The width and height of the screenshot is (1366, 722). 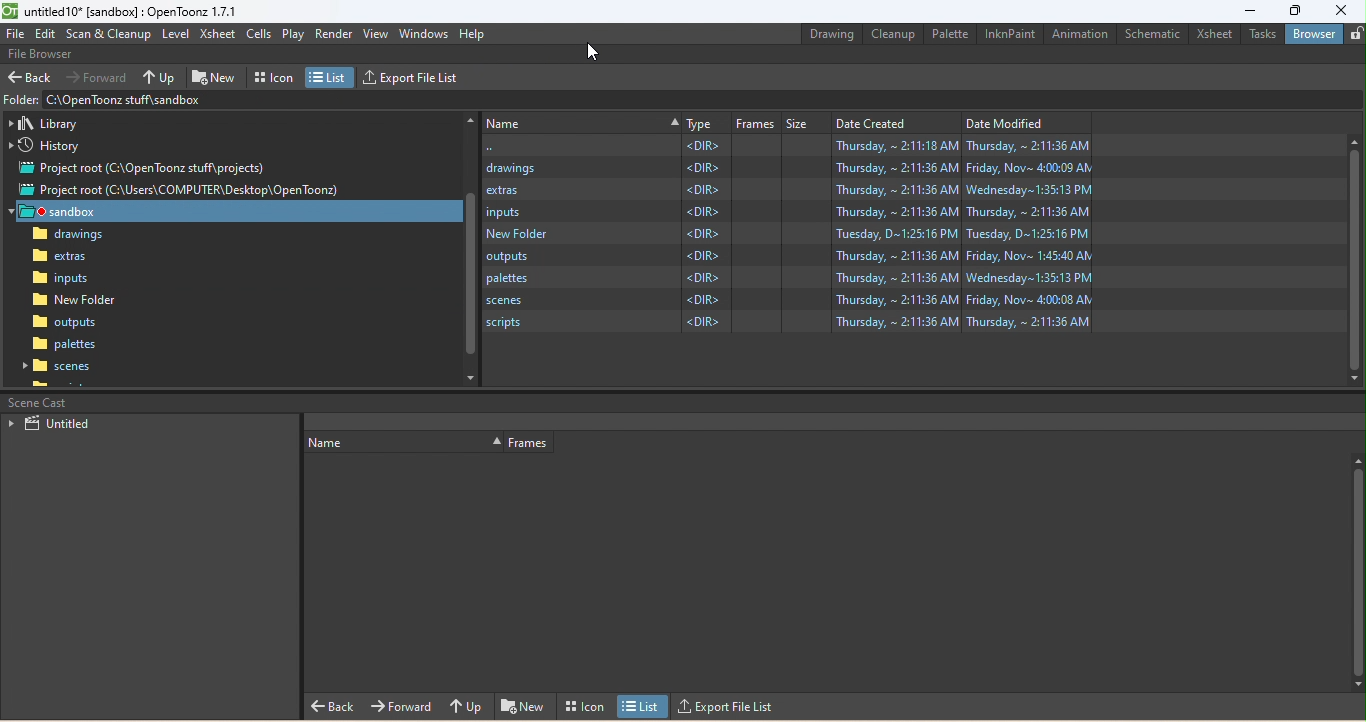 I want to click on Forward, so click(x=402, y=705).